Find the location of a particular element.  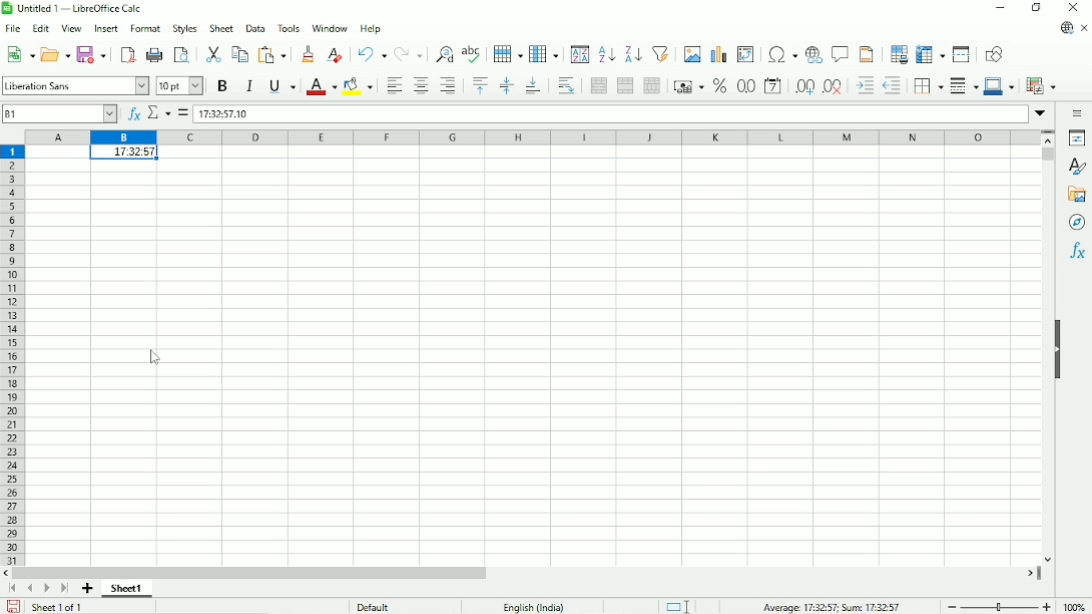

Restore down is located at coordinates (1038, 9).